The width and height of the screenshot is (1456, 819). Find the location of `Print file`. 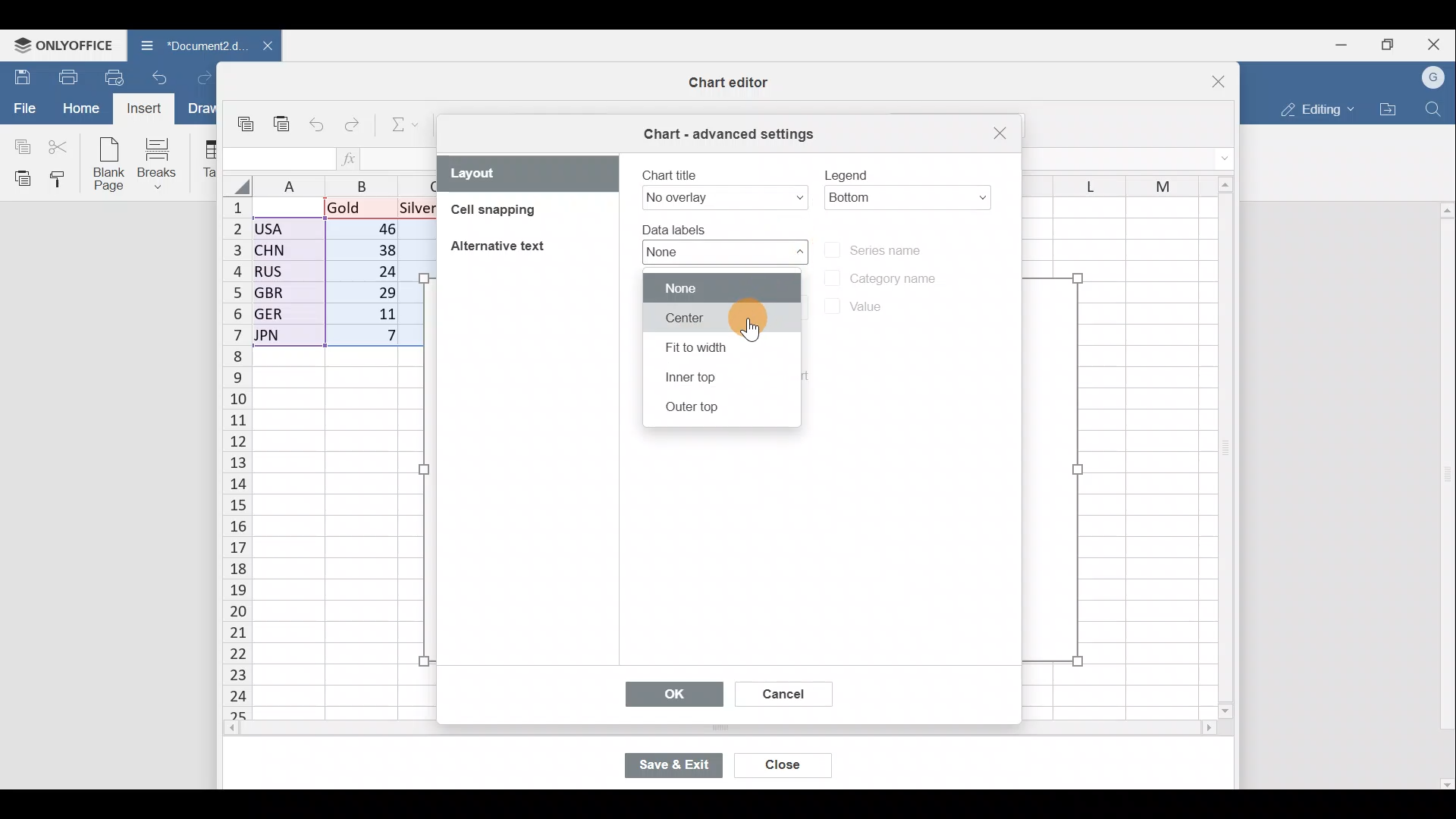

Print file is located at coordinates (67, 76).